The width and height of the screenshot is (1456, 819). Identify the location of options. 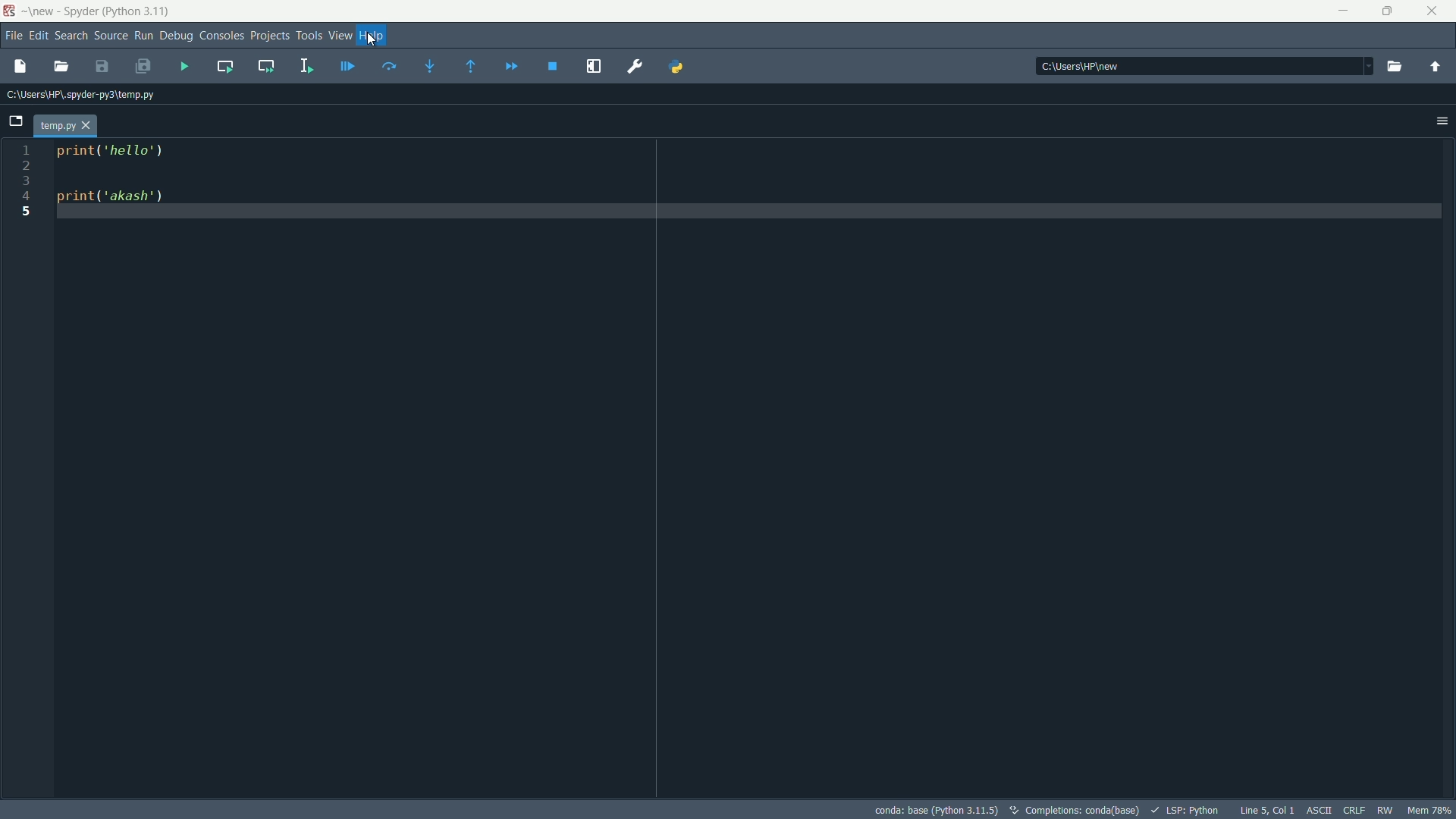
(1441, 119).